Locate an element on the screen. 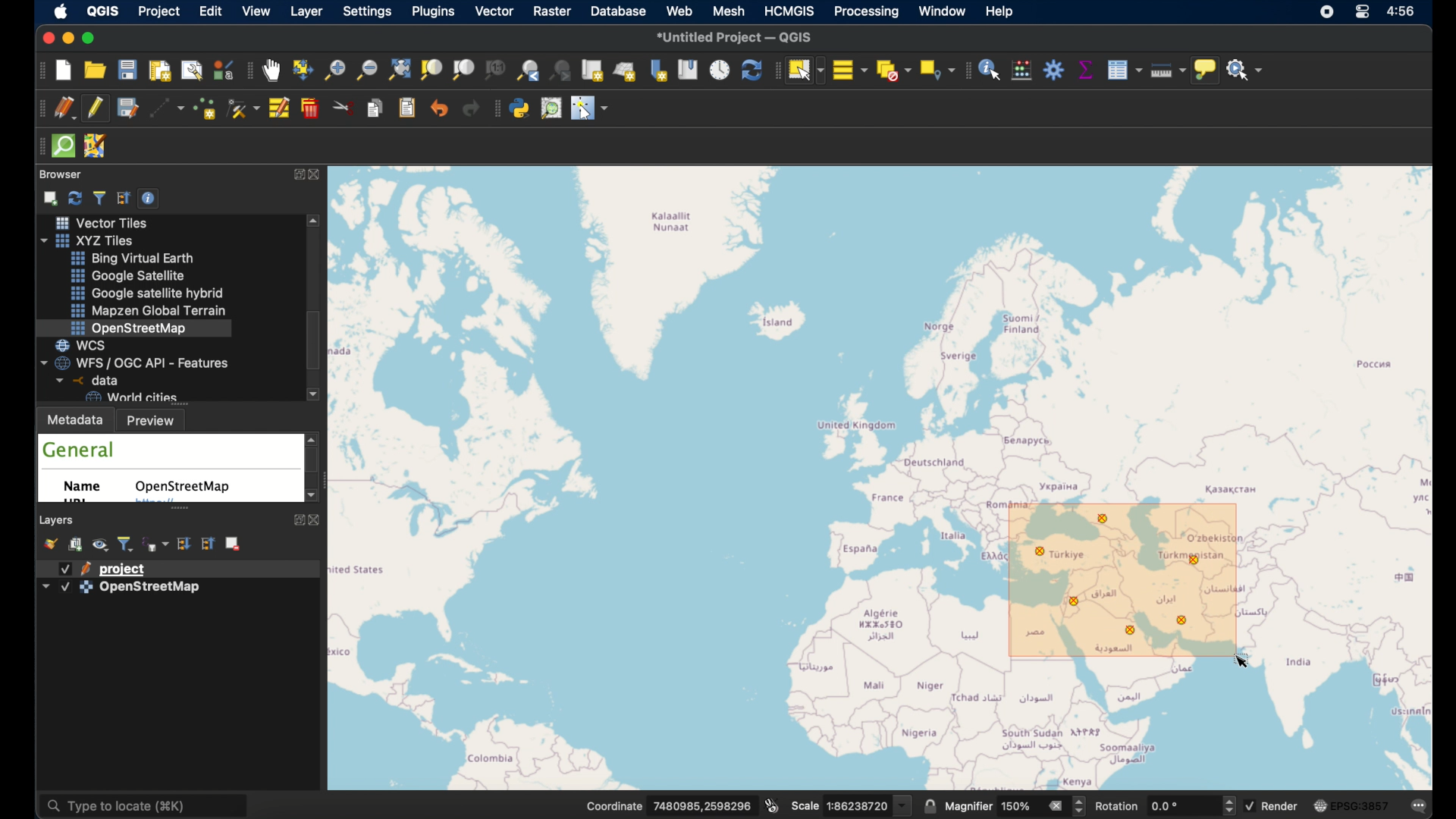  apple icon is located at coordinates (64, 13).